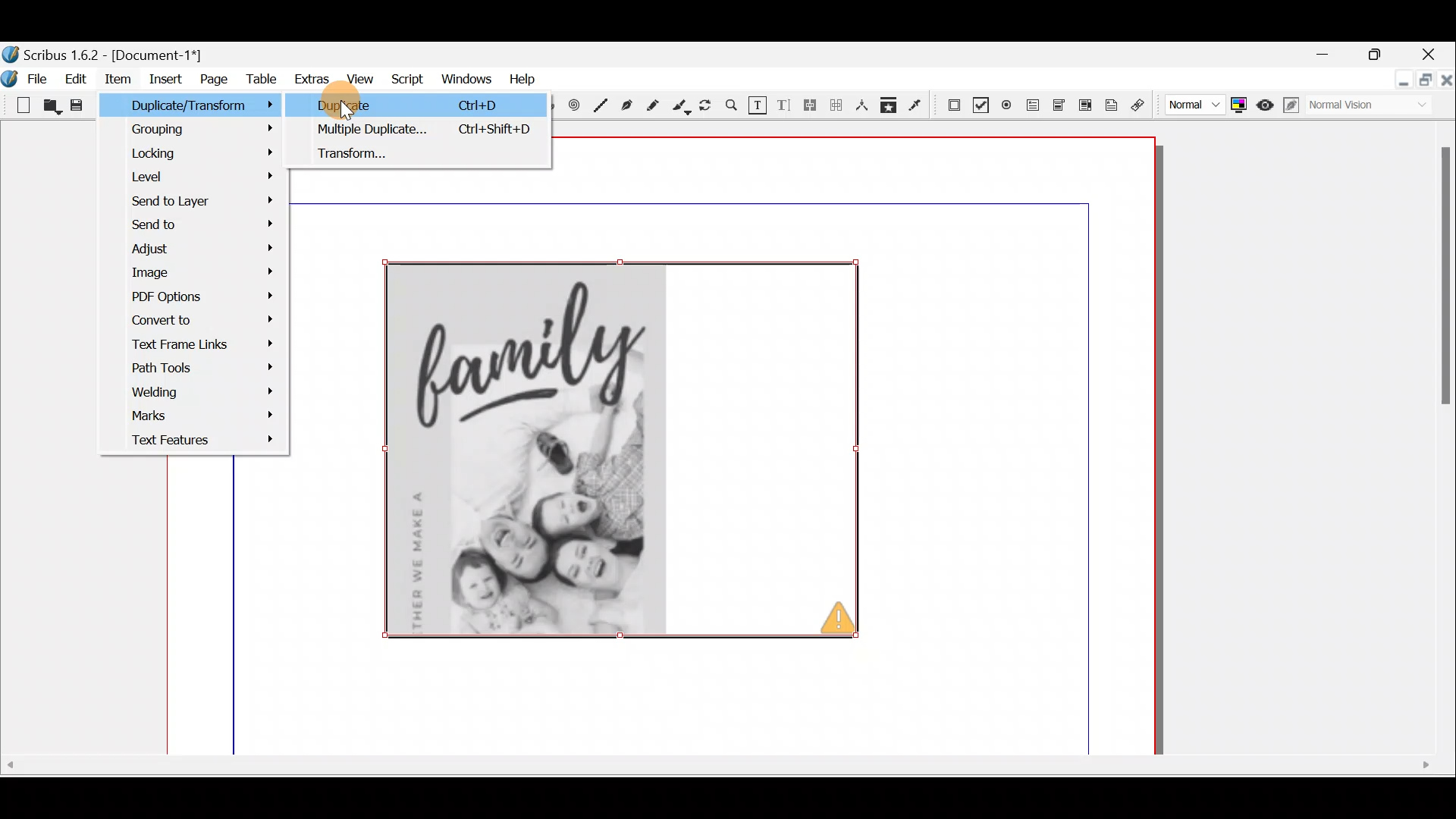  I want to click on Preview mode, so click(1267, 104).